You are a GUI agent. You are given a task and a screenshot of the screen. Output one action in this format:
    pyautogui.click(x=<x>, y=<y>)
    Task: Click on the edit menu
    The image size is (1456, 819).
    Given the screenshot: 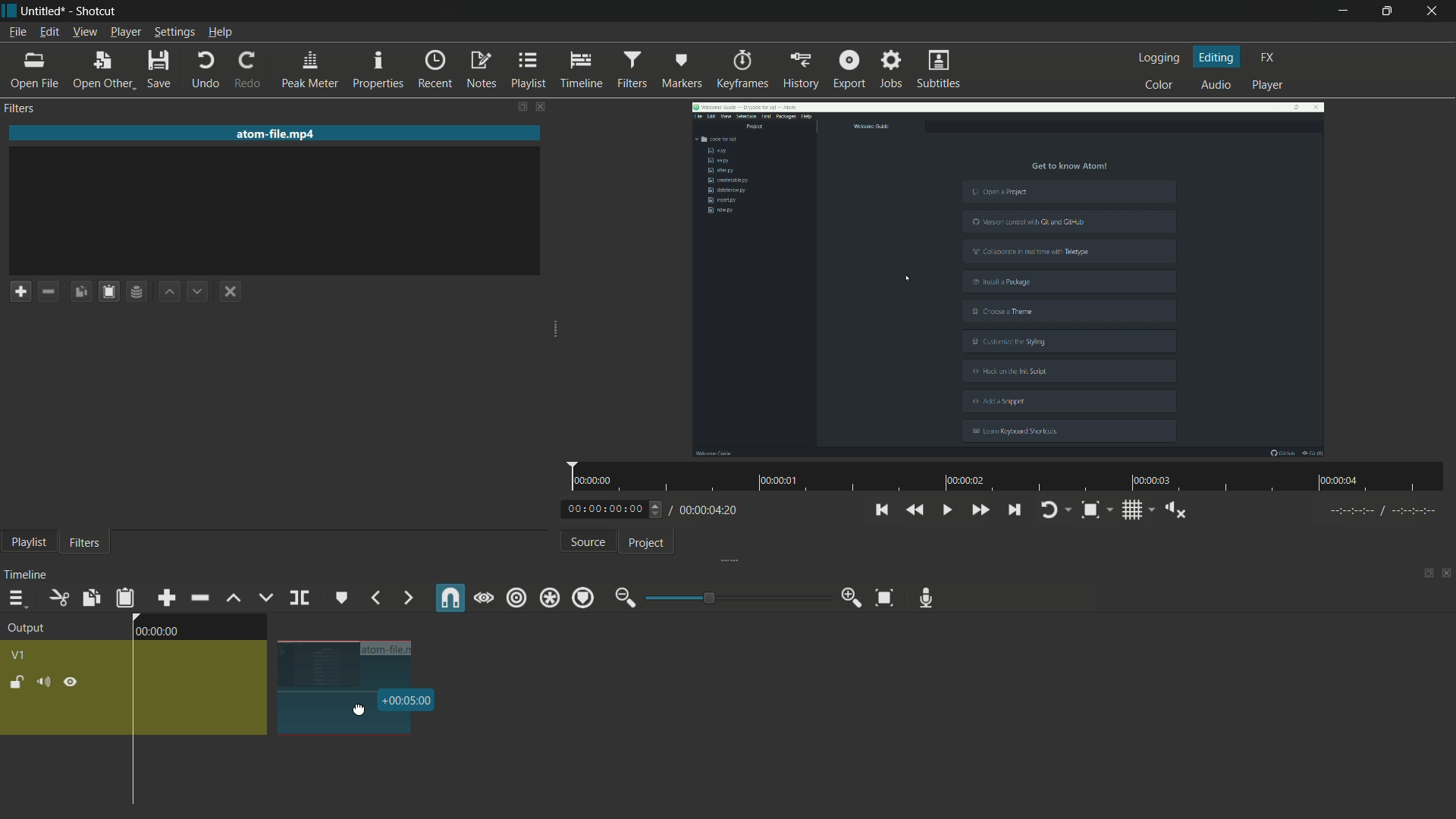 What is the action you would take?
    pyautogui.click(x=49, y=31)
    